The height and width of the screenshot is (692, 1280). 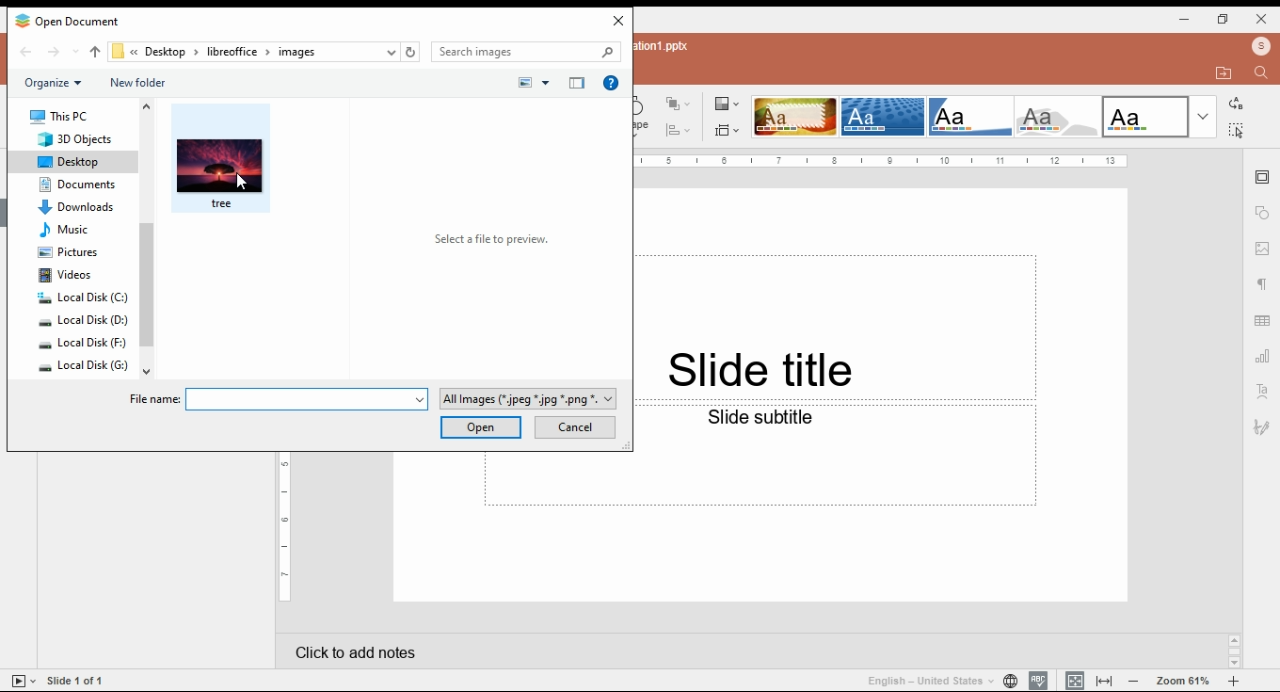 I want to click on system drive 2, so click(x=85, y=321).